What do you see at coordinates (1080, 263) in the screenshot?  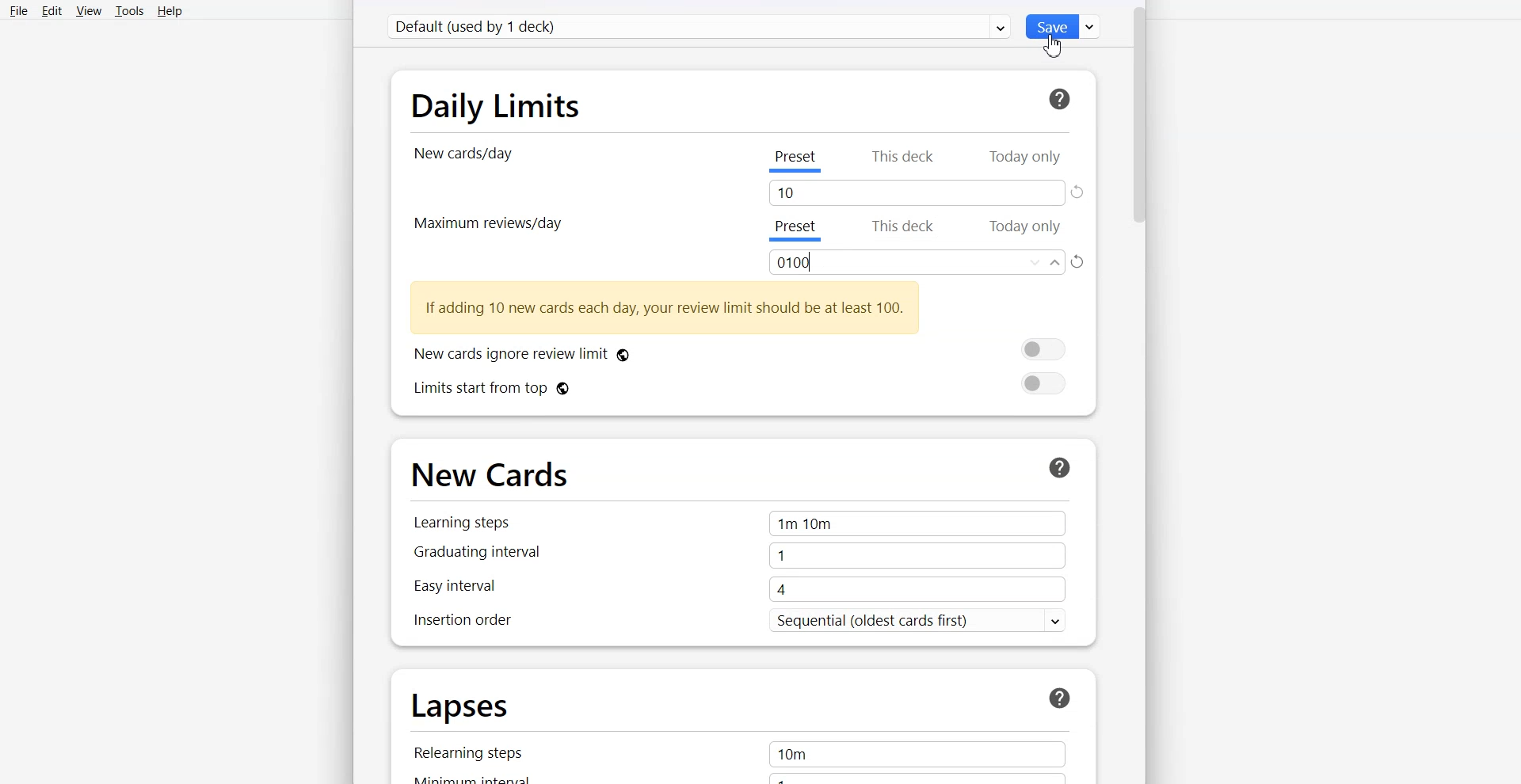 I see `Refresh` at bounding box center [1080, 263].